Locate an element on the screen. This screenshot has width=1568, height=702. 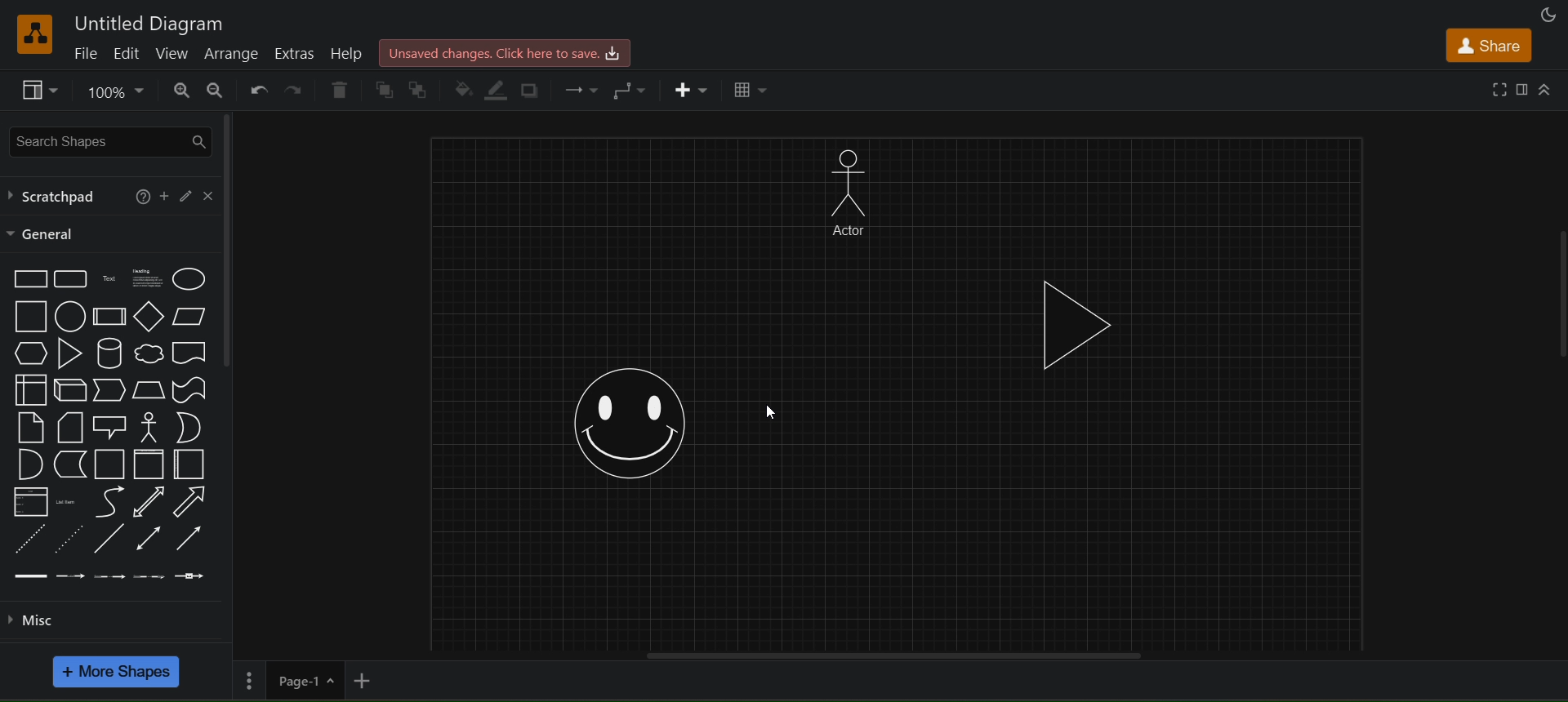
bidirectional connector is located at coordinates (151, 539).